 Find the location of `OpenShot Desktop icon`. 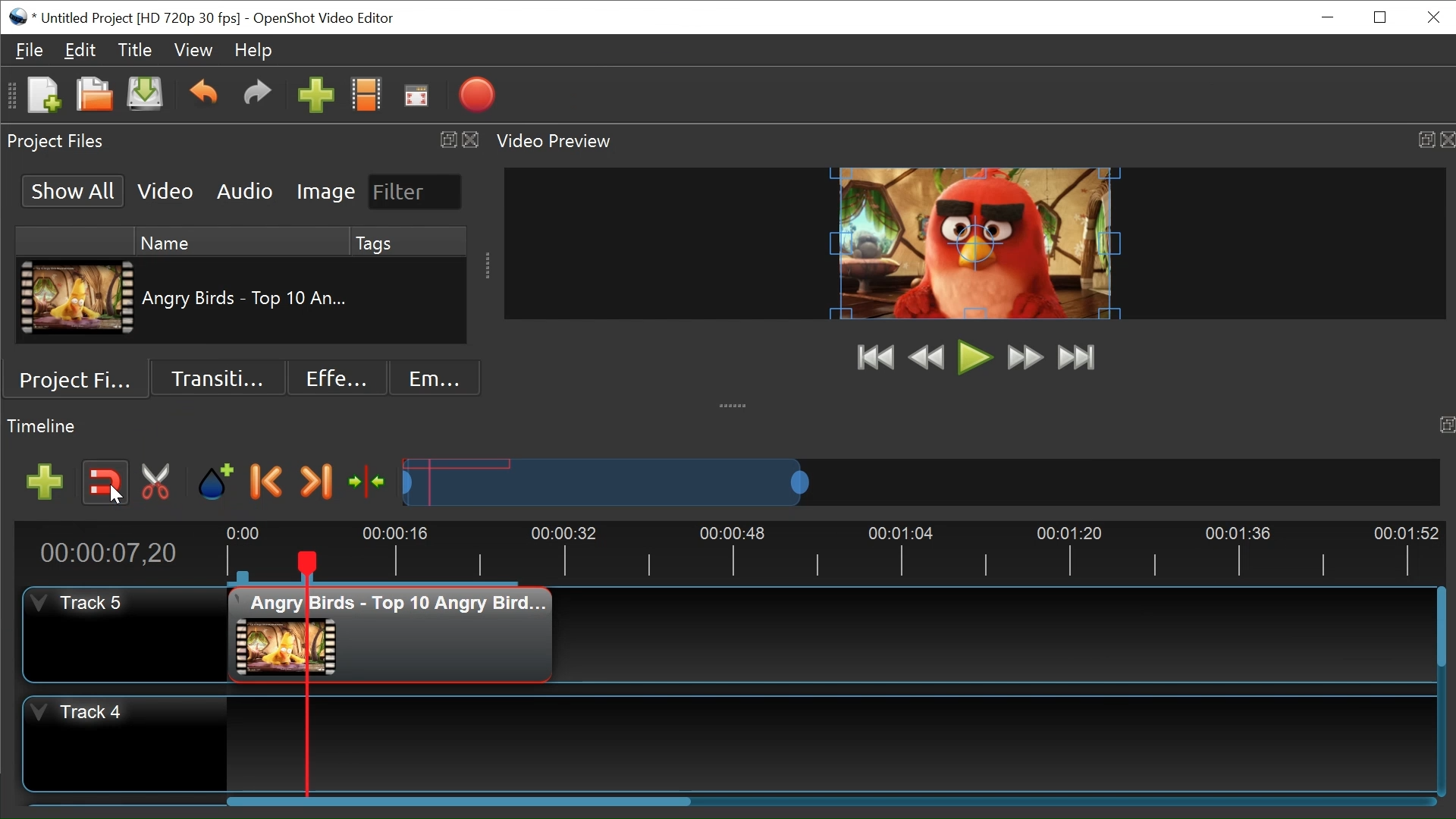

OpenShot Desktop icon is located at coordinates (17, 17).